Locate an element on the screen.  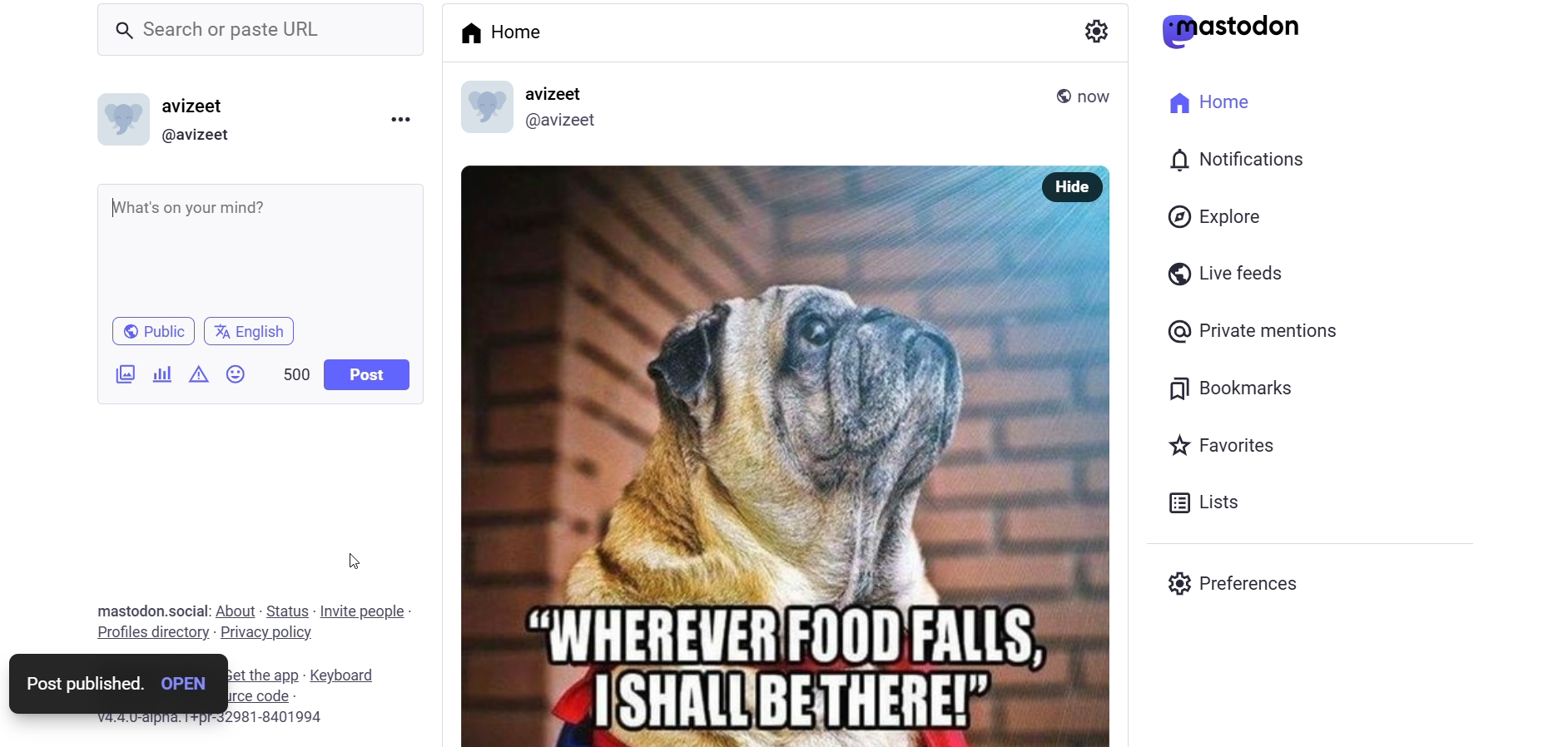
id is located at coordinates (201, 136).